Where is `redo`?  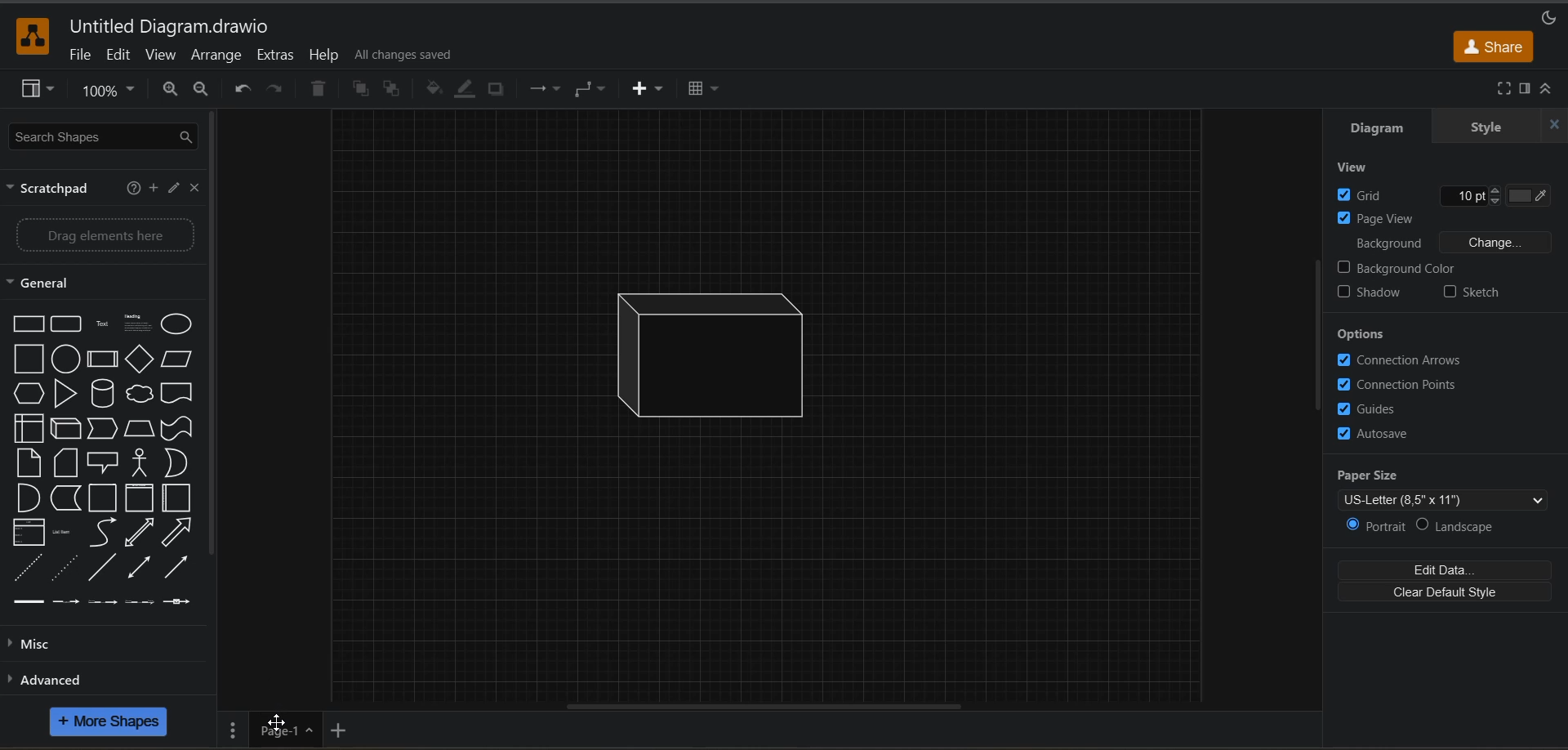 redo is located at coordinates (275, 90).